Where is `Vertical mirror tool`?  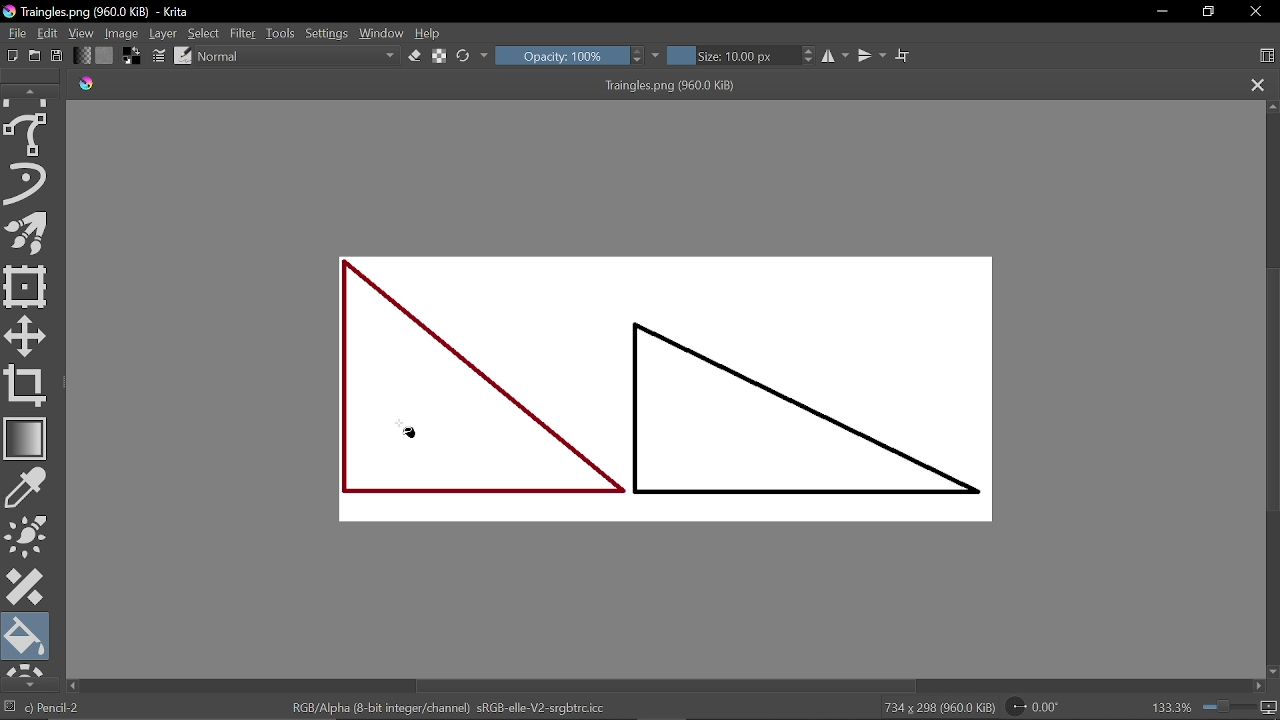 Vertical mirror tool is located at coordinates (874, 57).